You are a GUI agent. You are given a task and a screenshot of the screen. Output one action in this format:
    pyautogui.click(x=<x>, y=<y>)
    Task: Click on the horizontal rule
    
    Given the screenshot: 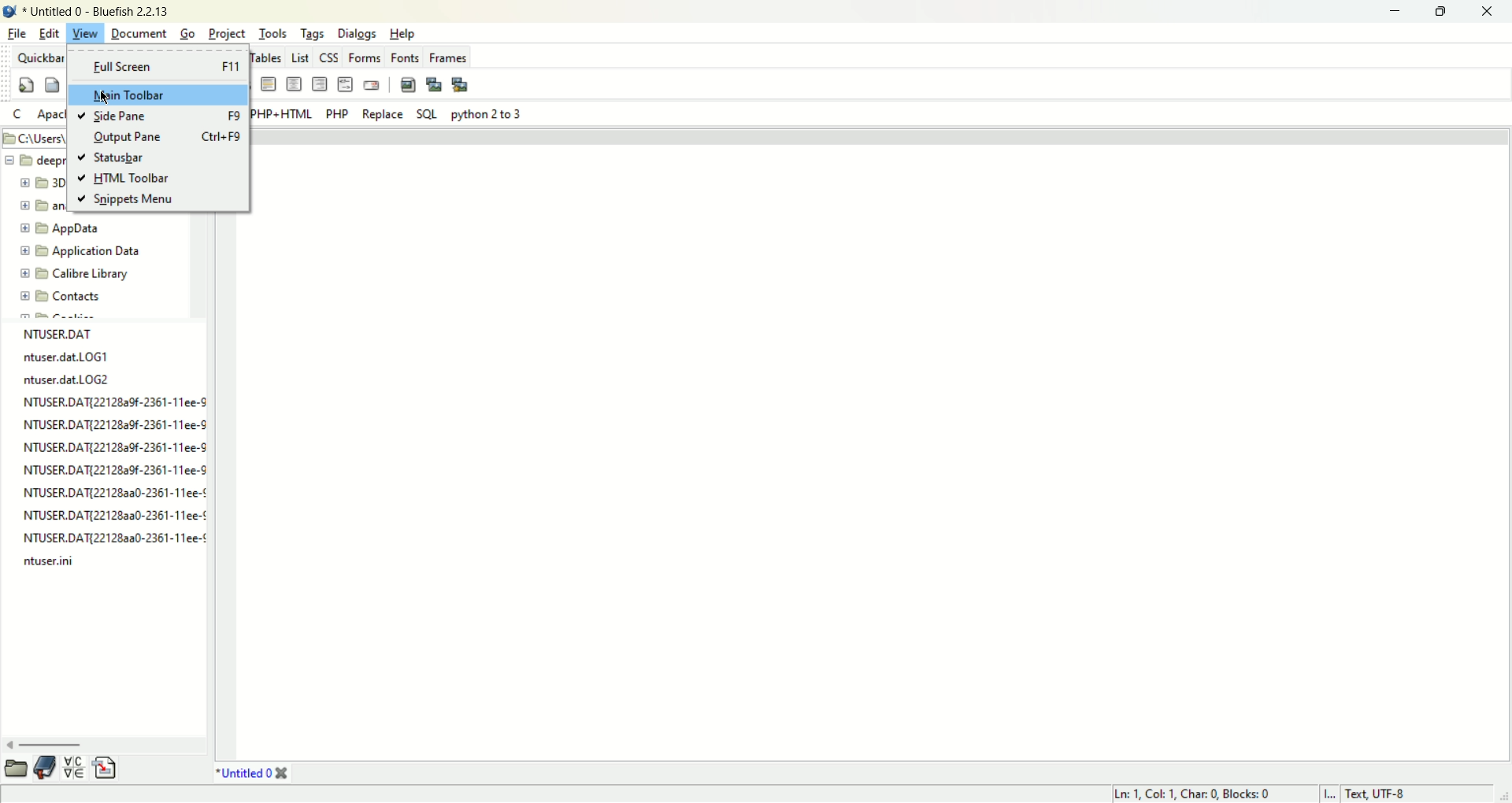 What is the action you would take?
    pyautogui.click(x=269, y=84)
    